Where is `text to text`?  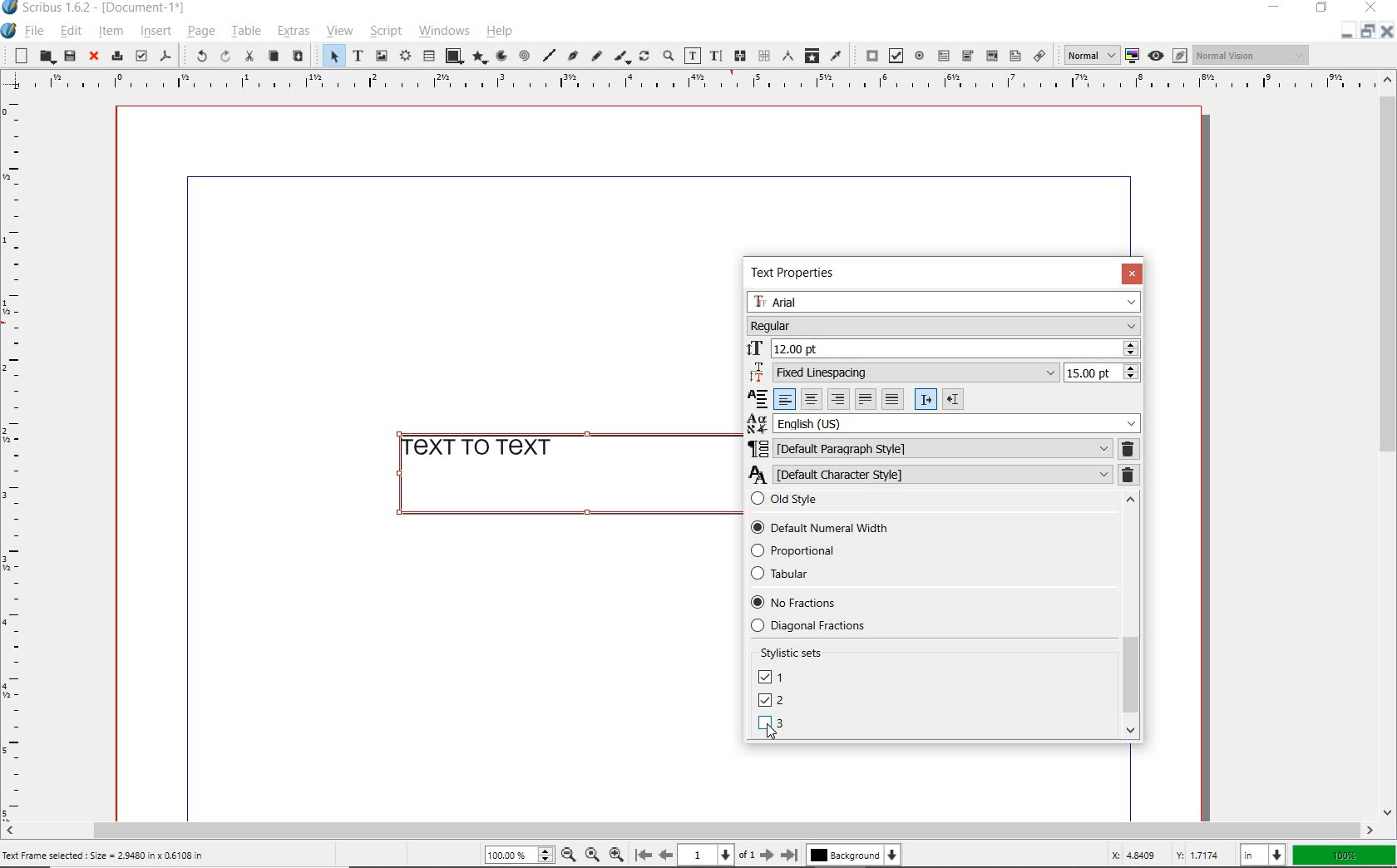
text to text is located at coordinates (562, 474).